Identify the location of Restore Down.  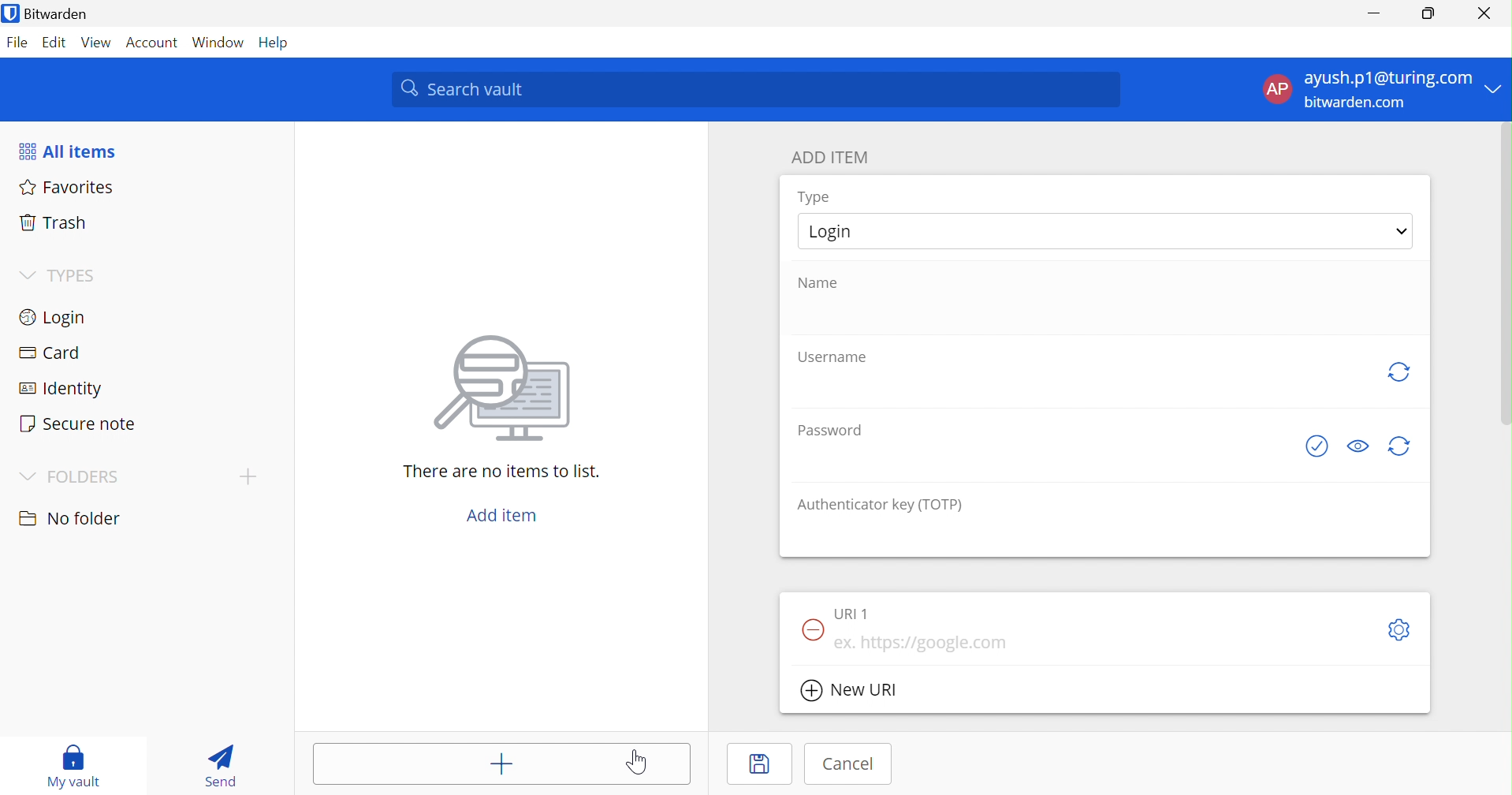
(1428, 13).